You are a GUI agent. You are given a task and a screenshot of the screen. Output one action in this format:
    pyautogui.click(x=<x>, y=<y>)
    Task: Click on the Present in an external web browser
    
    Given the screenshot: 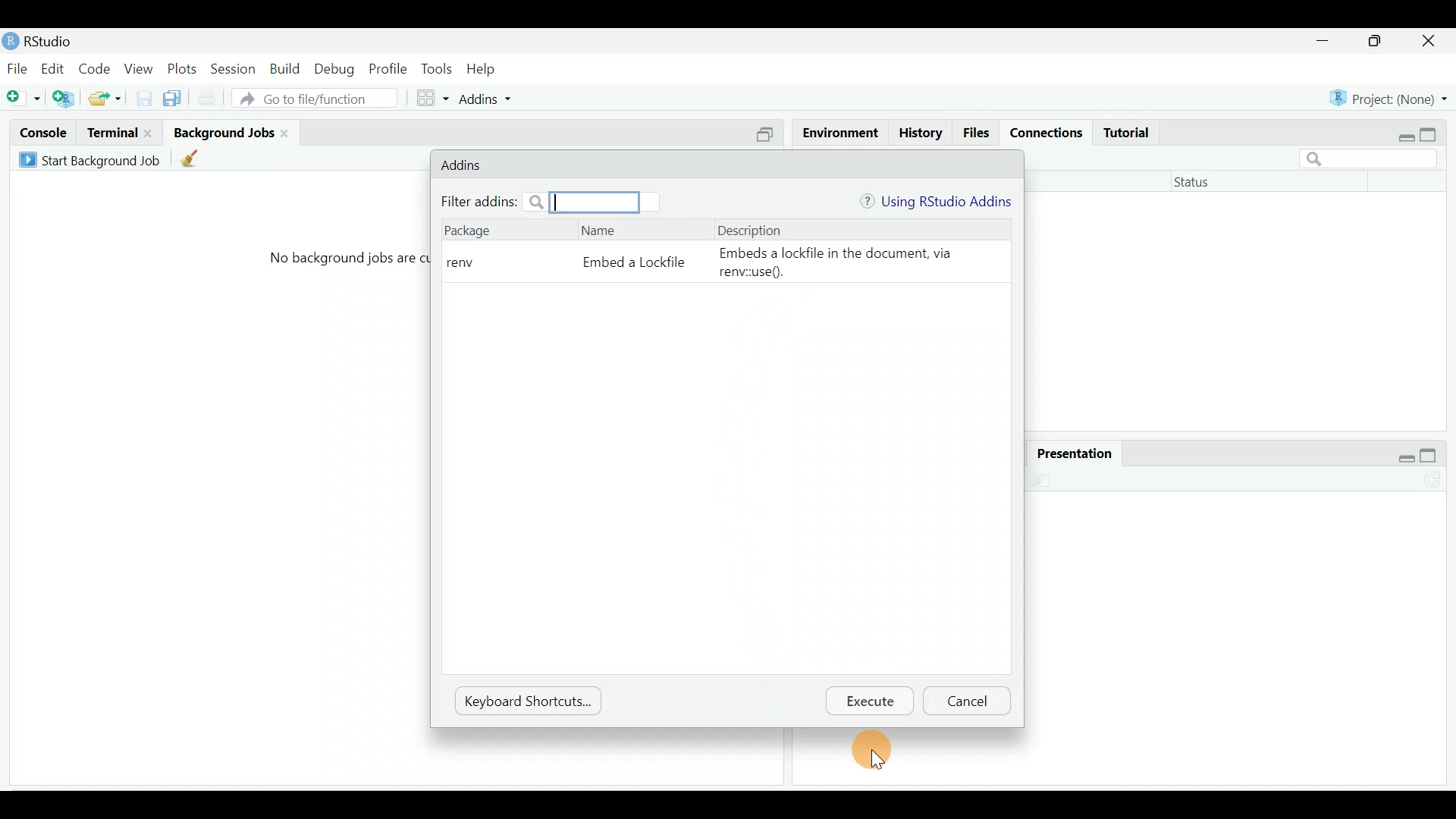 What is the action you would take?
    pyautogui.click(x=1048, y=479)
    